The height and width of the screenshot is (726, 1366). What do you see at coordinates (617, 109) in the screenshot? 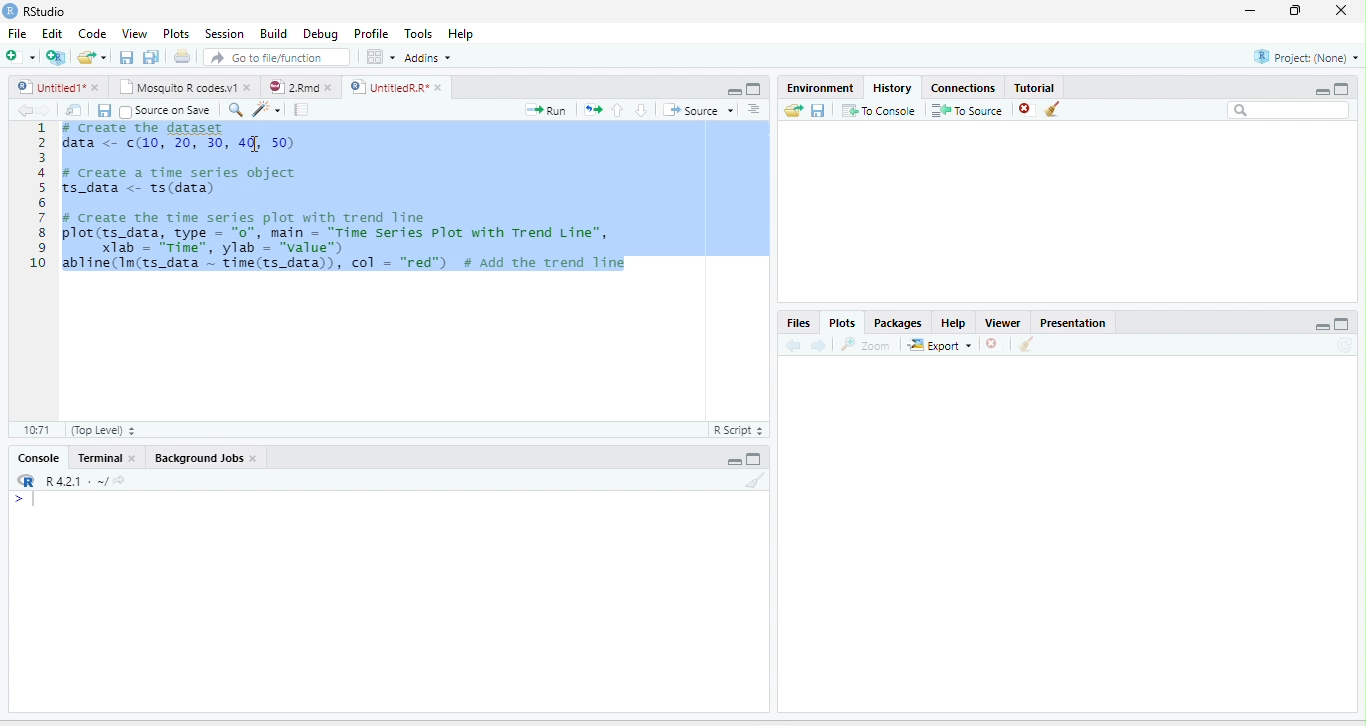
I see `Go to previous section/chunk` at bounding box center [617, 109].